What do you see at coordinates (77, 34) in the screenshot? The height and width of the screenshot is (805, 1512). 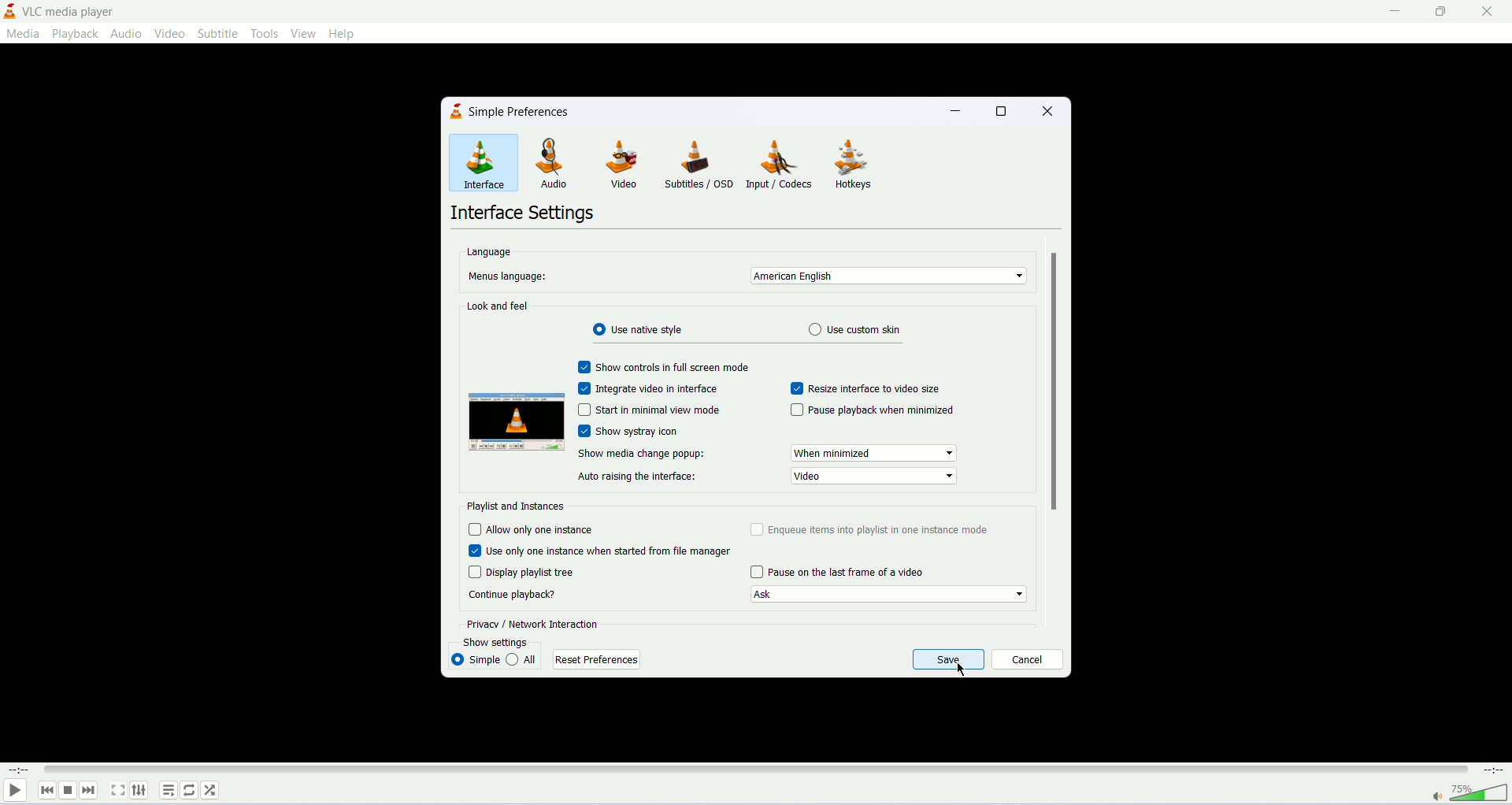 I see `playback` at bounding box center [77, 34].